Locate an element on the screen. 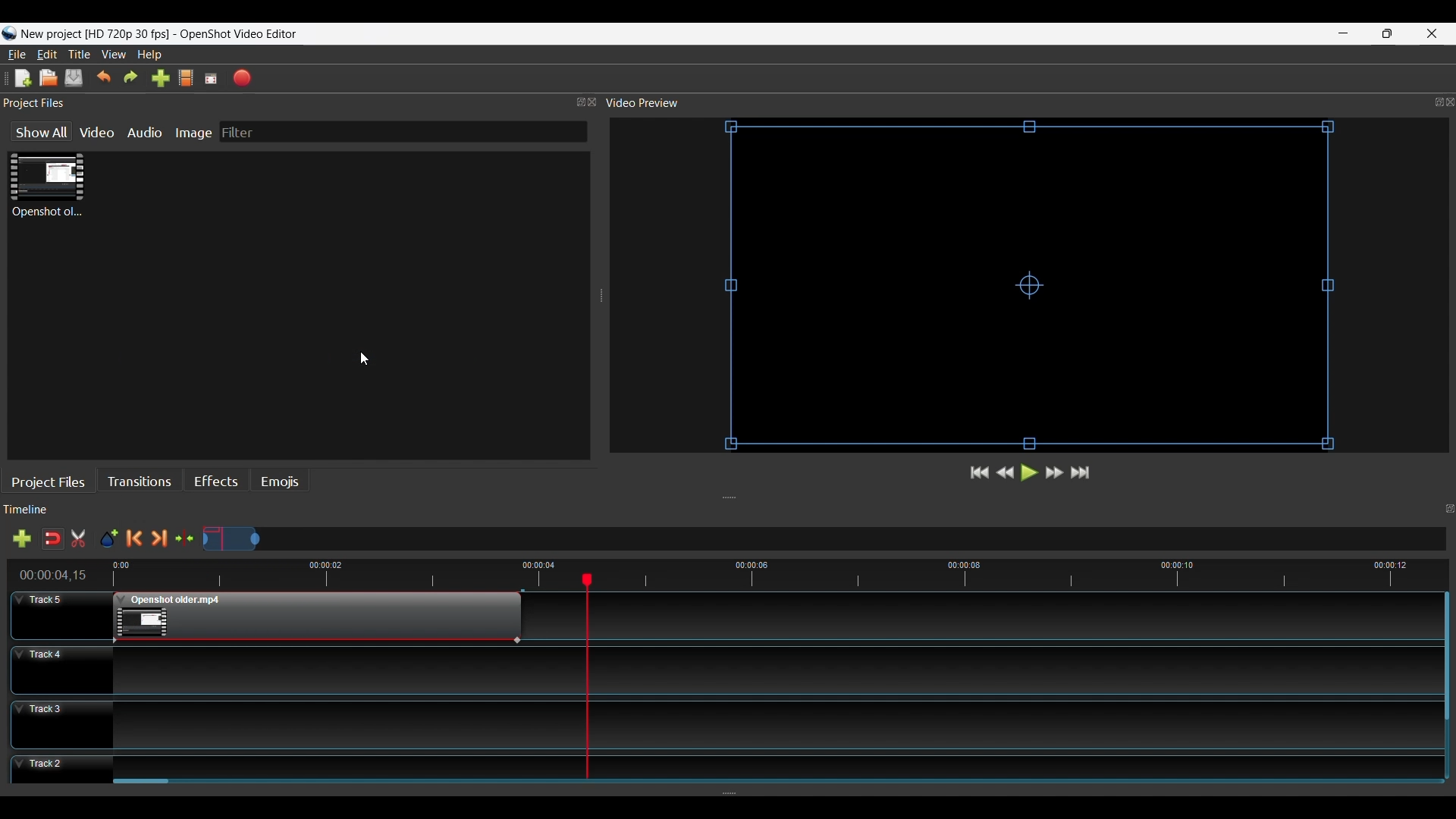 The width and height of the screenshot is (1456, 819). Timeline is located at coordinates (733, 511).